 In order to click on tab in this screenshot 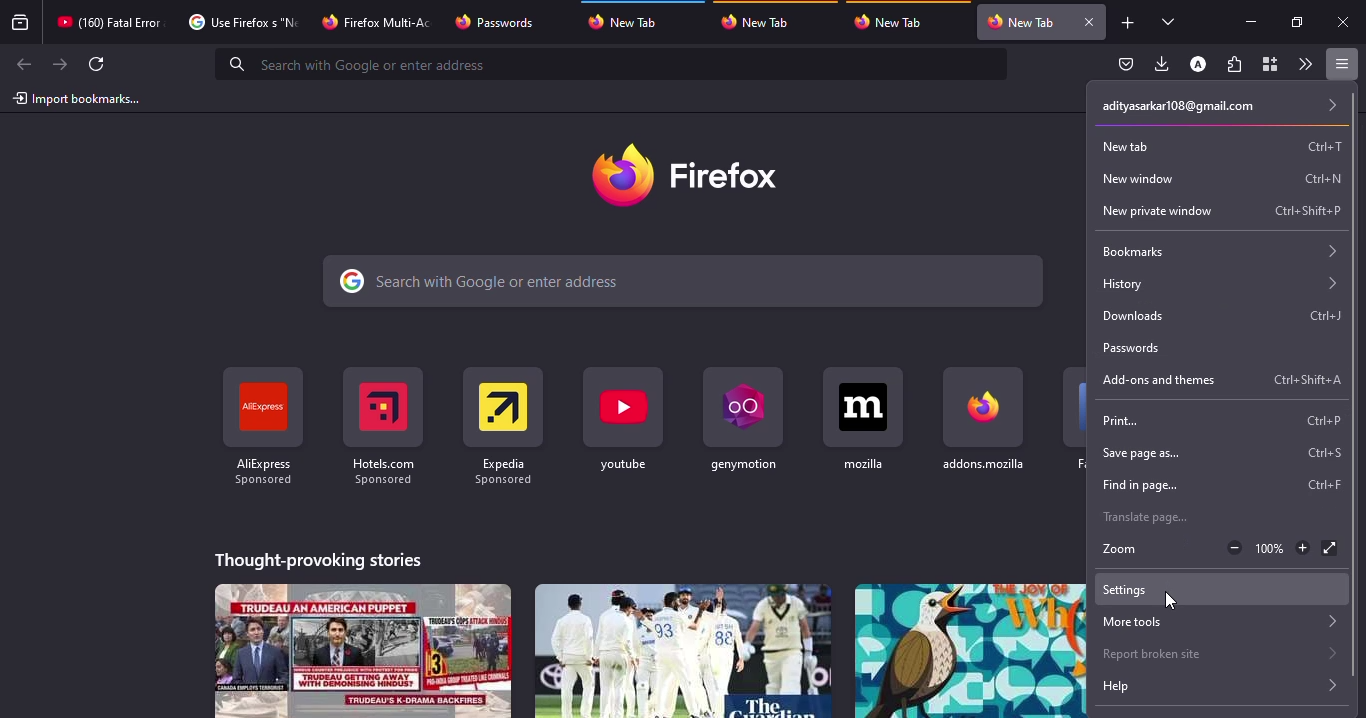, I will do `click(894, 22)`.